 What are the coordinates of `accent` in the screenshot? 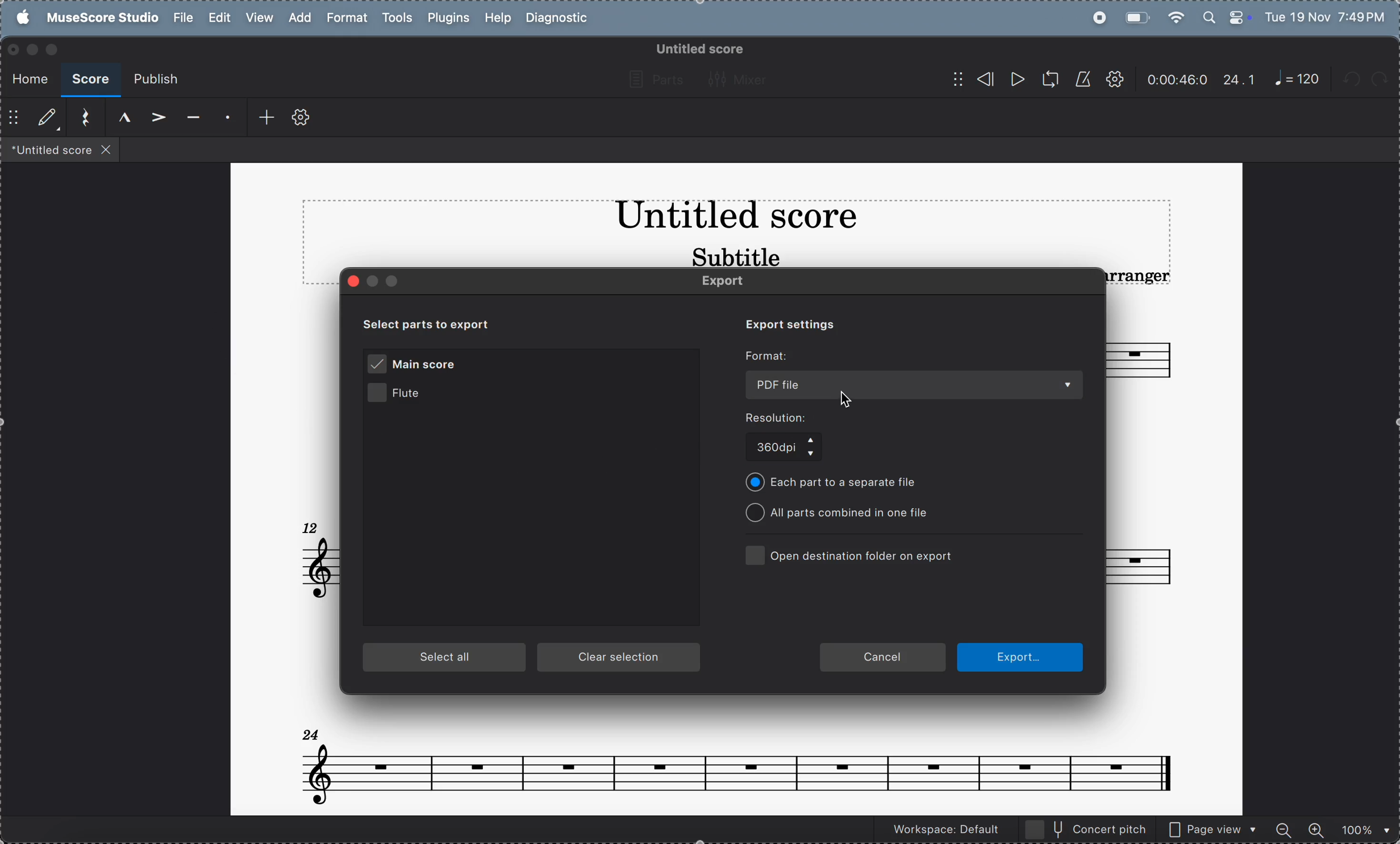 It's located at (155, 118).